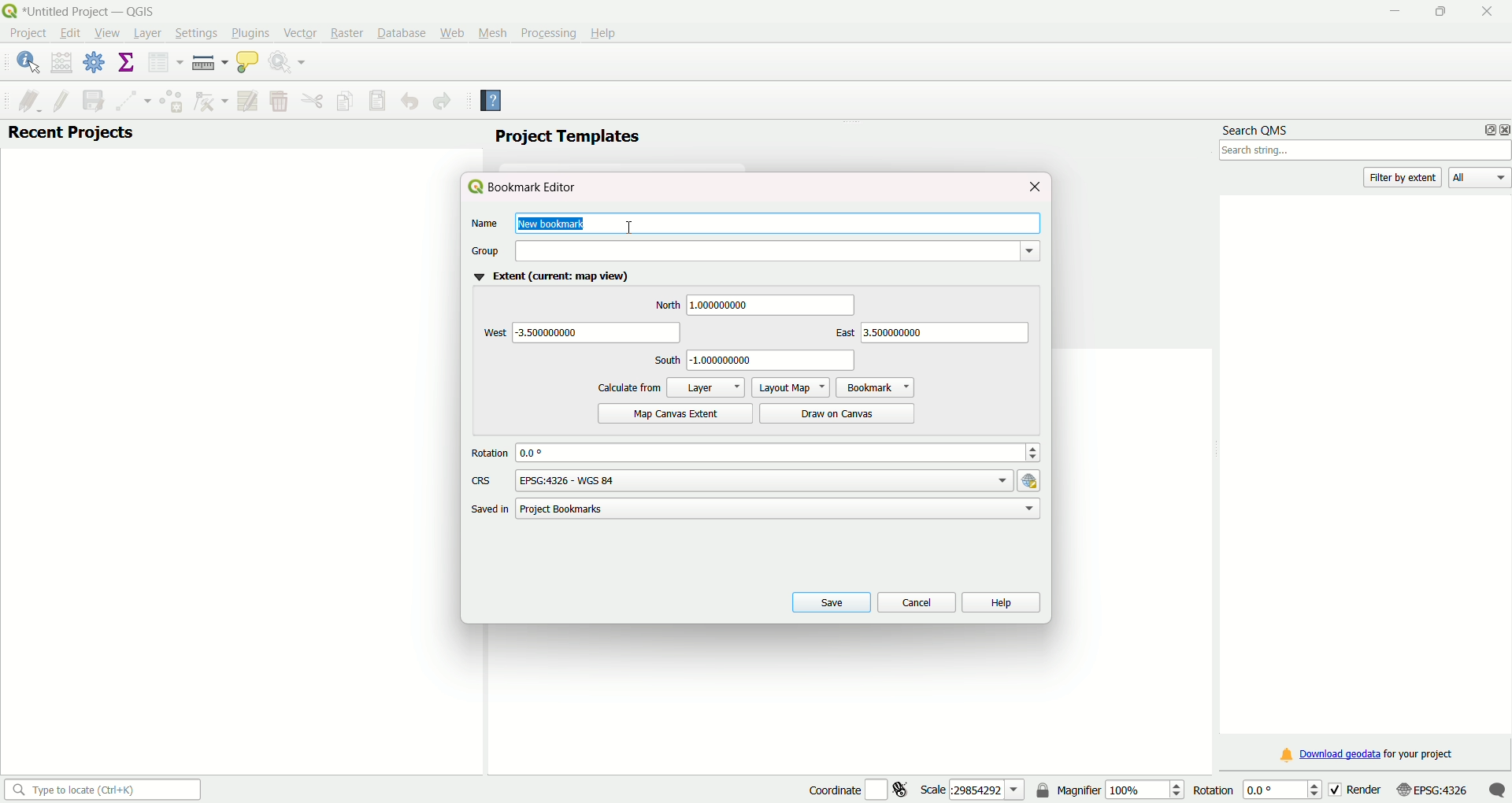 This screenshot has height=803, width=1512. Describe the element at coordinates (789, 387) in the screenshot. I see `layout map` at that location.